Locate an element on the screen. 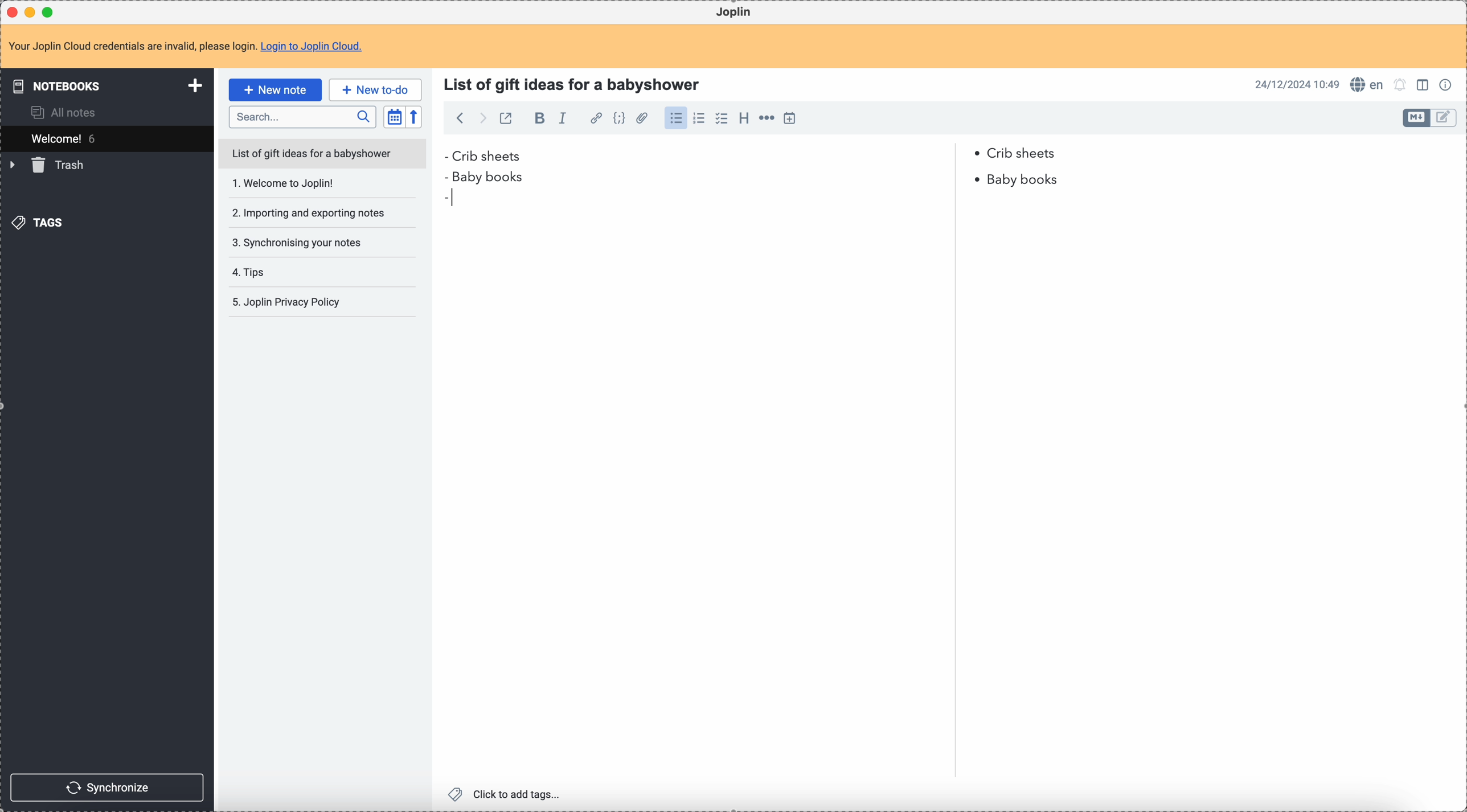 The image size is (1467, 812). baby books is located at coordinates (495, 178).